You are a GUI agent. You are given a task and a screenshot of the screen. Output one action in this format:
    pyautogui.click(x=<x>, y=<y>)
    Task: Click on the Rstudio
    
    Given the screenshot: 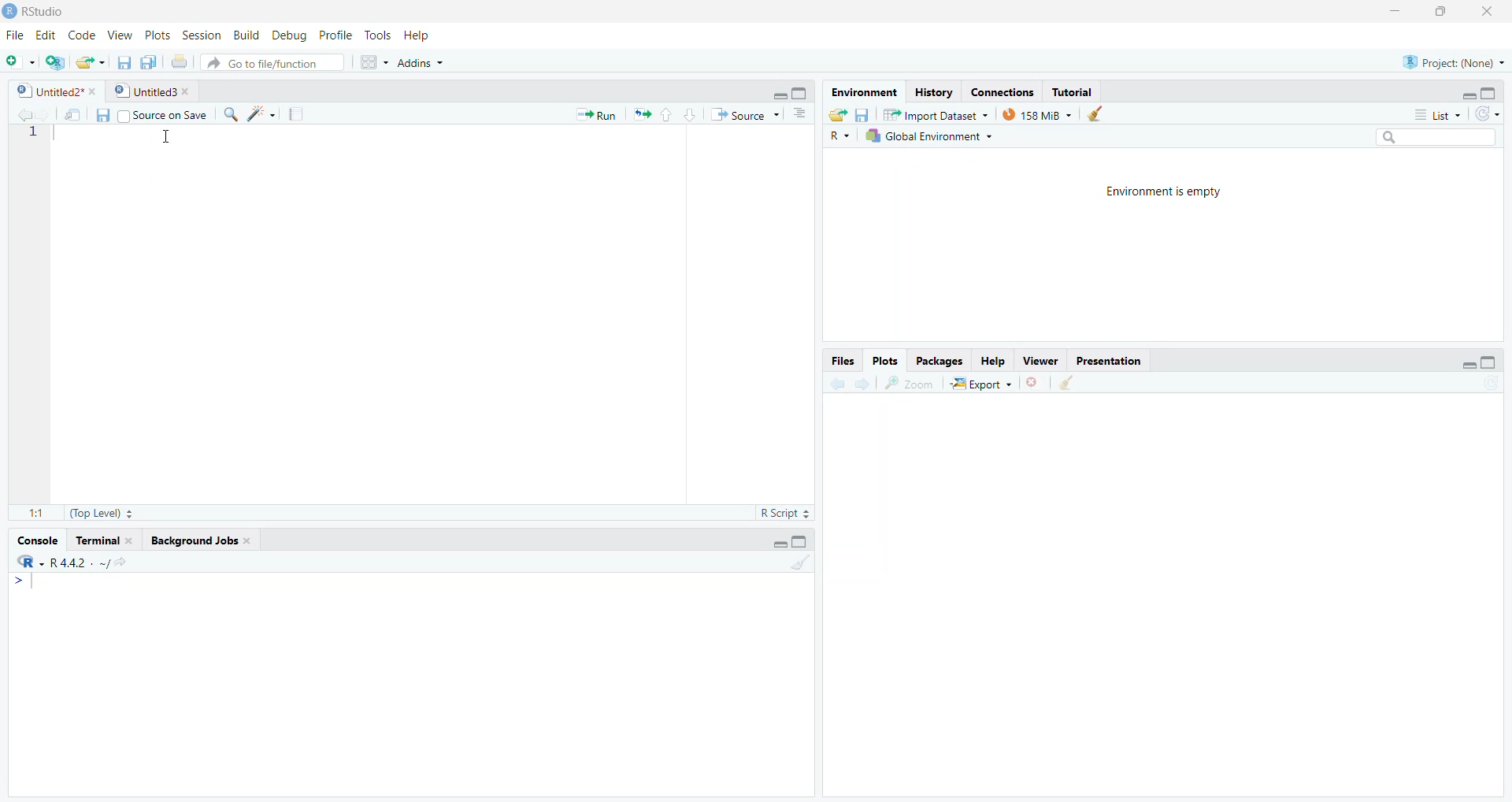 What is the action you would take?
    pyautogui.click(x=46, y=9)
    